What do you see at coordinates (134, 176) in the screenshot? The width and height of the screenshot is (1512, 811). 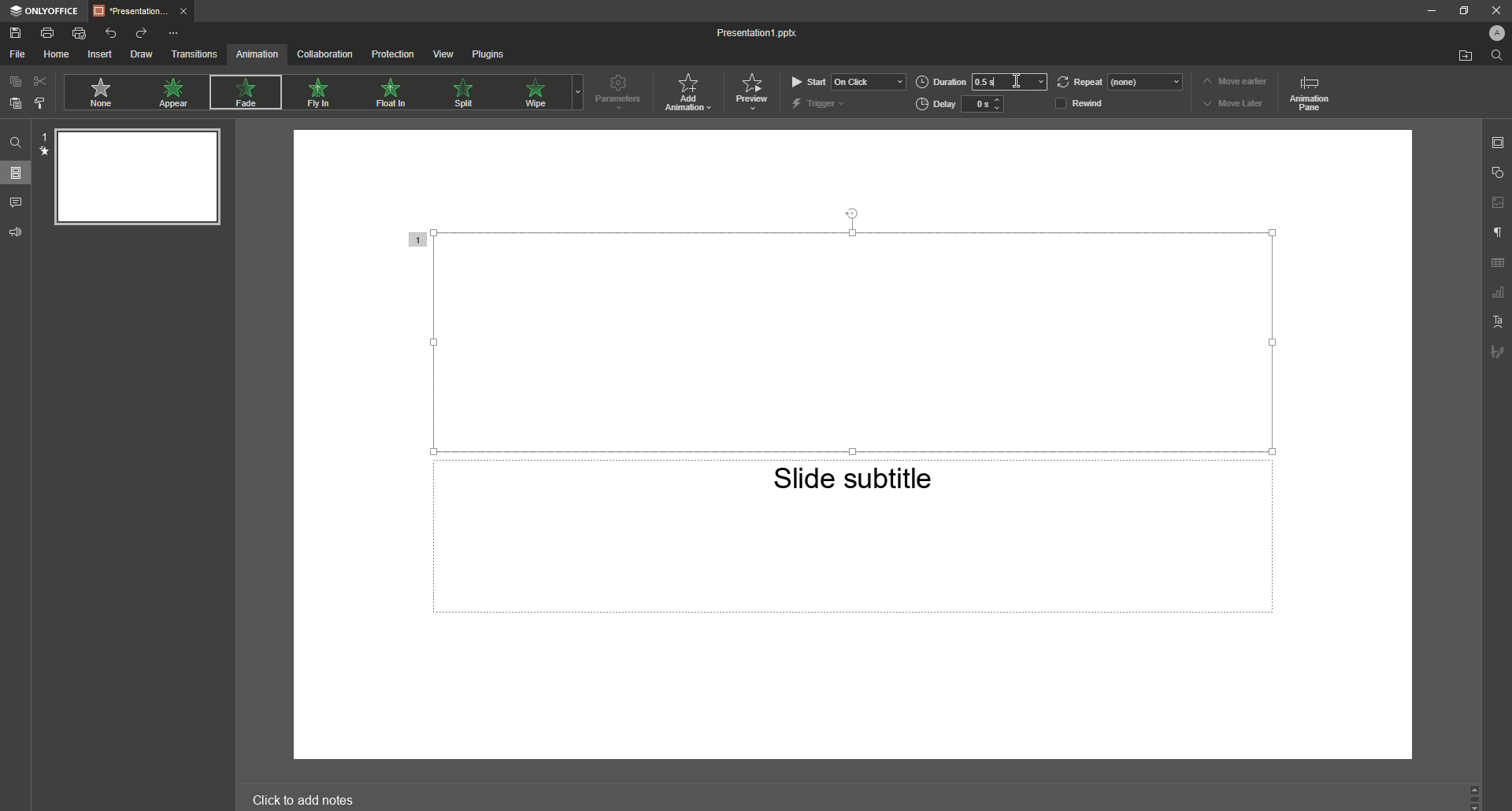 I see `Slide Preview` at bounding box center [134, 176].